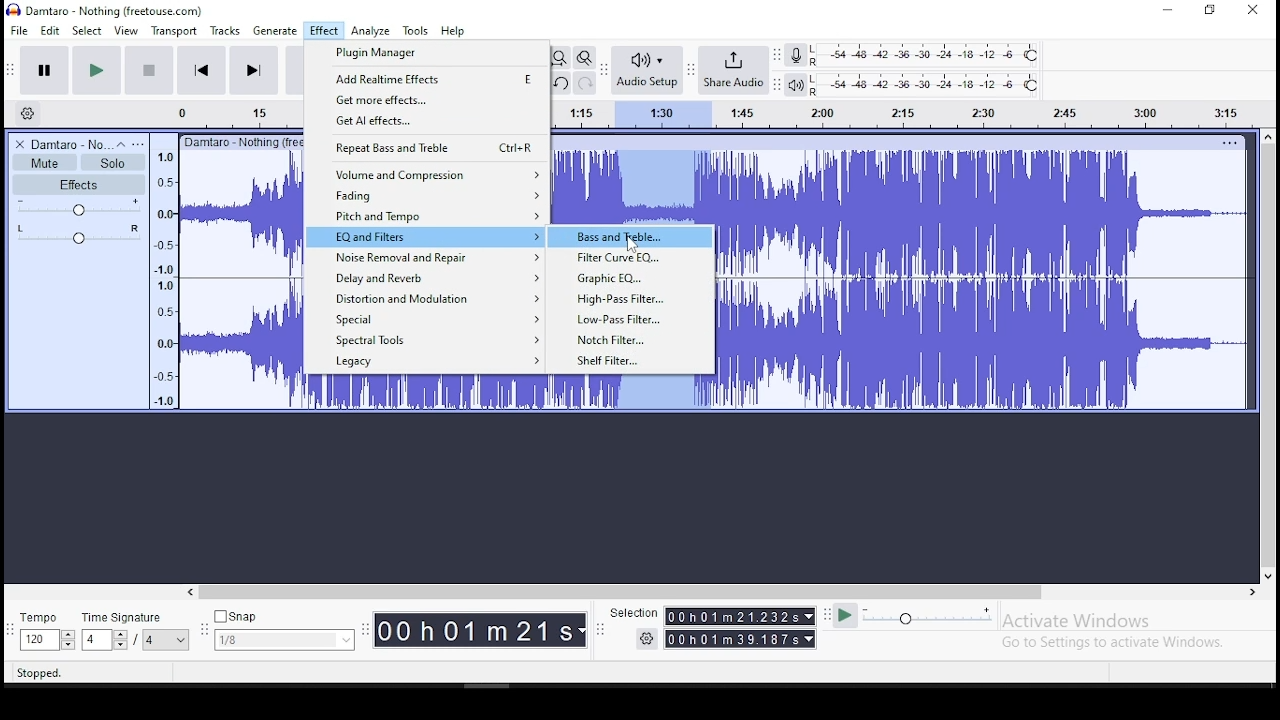 The width and height of the screenshot is (1280, 720). I want to click on EQ and filters, so click(426, 238).